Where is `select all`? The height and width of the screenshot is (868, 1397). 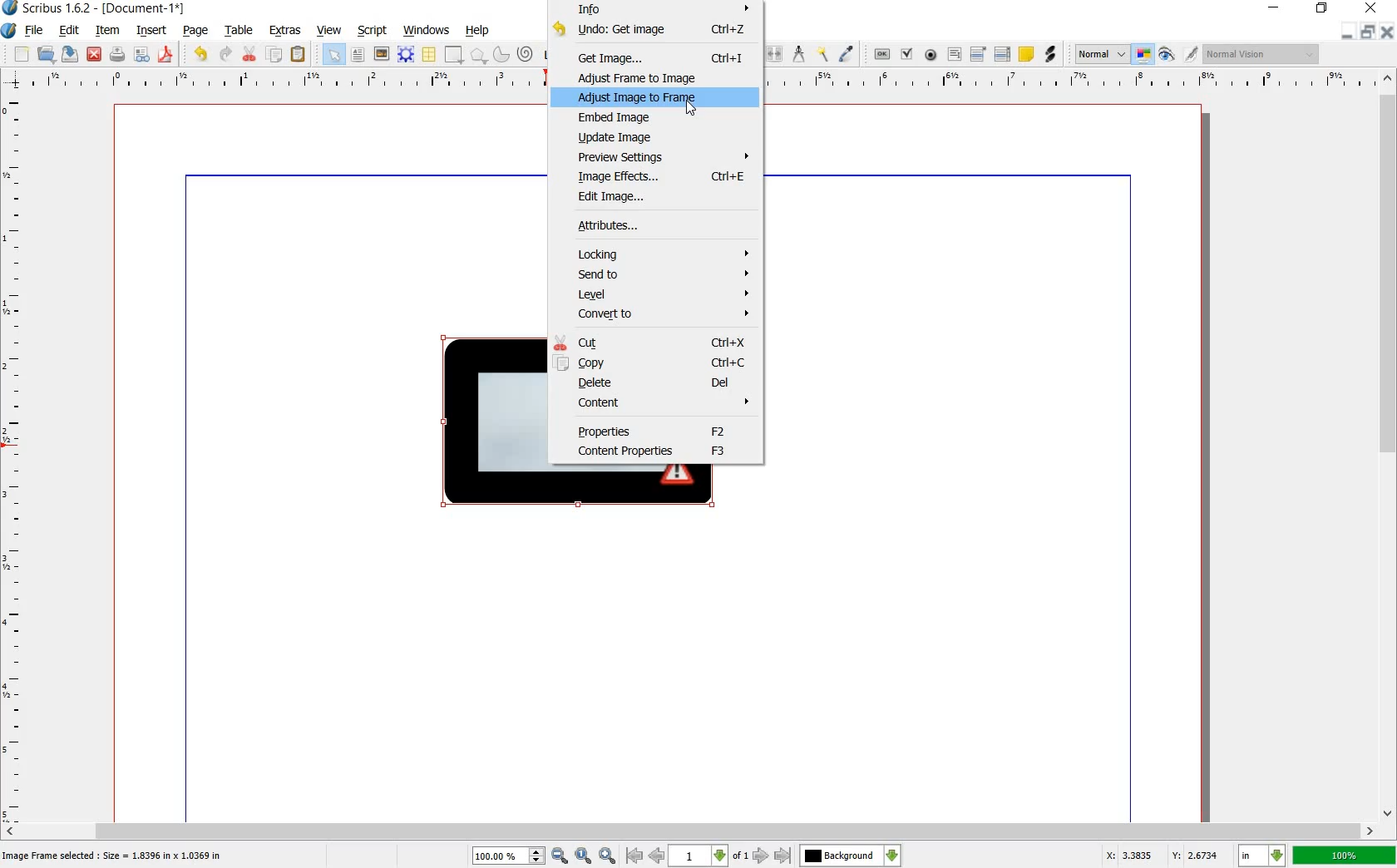 select all is located at coordinates (333, 55).